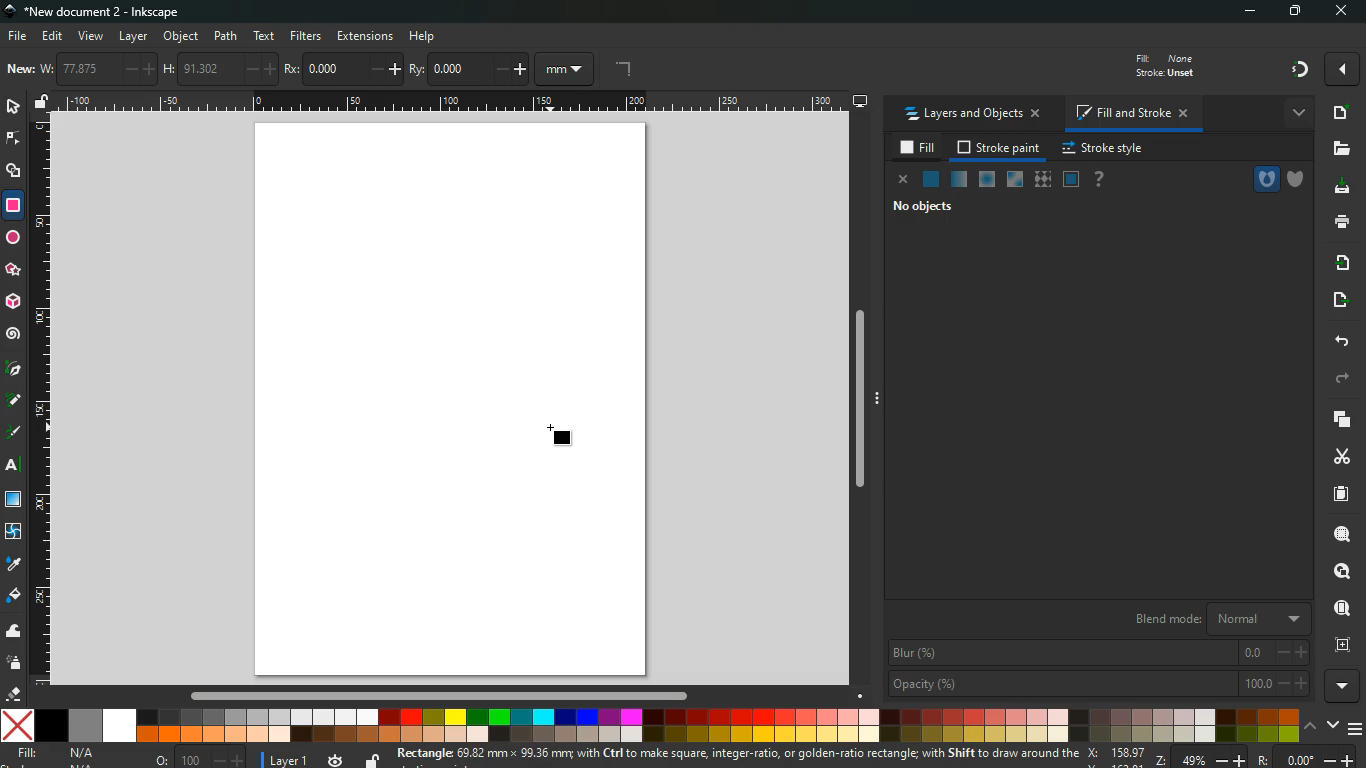 The width and height of the screenshot is (1366, 768). I want to click on close, so click(1343, 12).